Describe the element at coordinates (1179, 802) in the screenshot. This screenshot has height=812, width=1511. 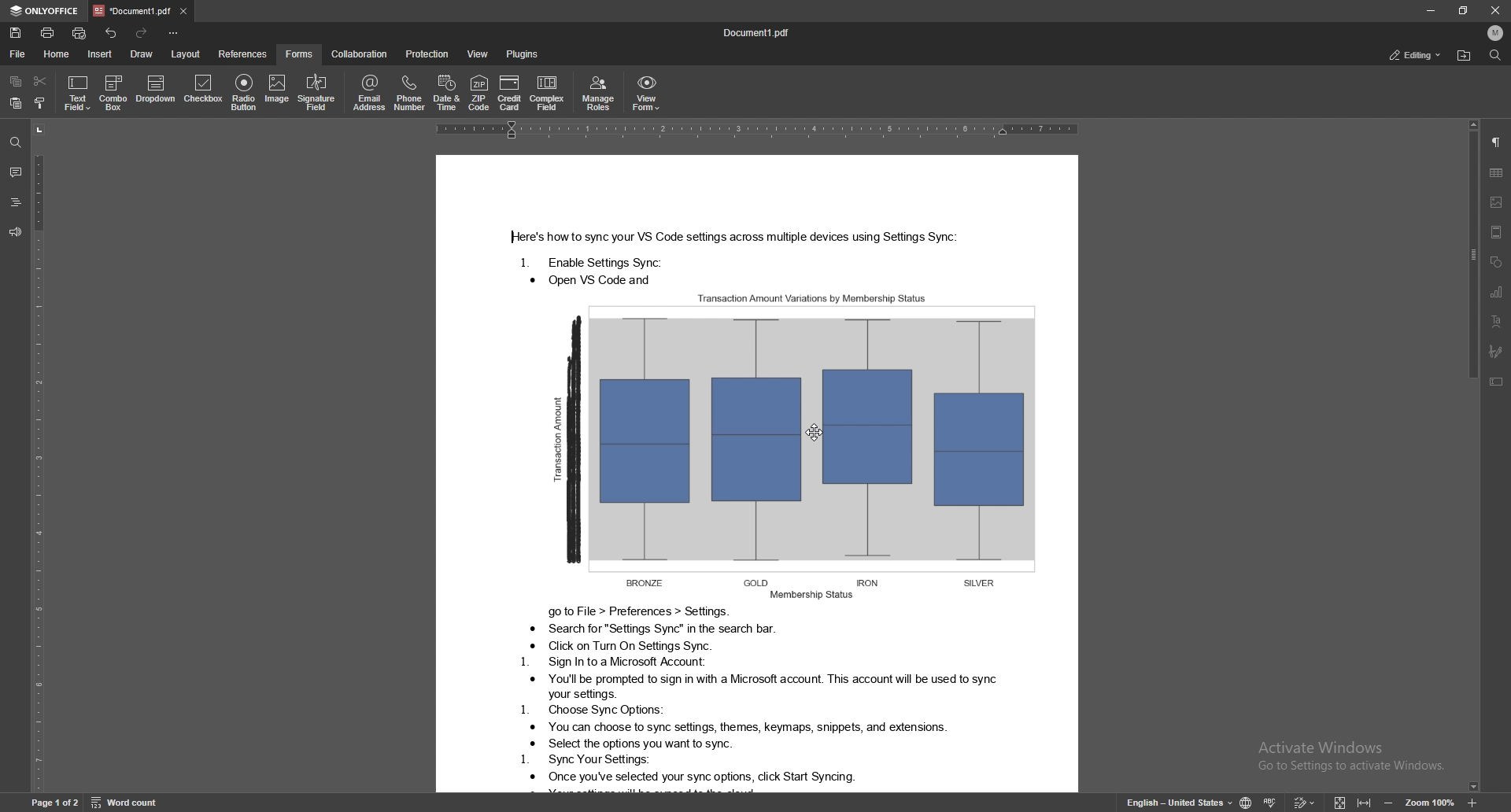
I see `change text language` at that location.